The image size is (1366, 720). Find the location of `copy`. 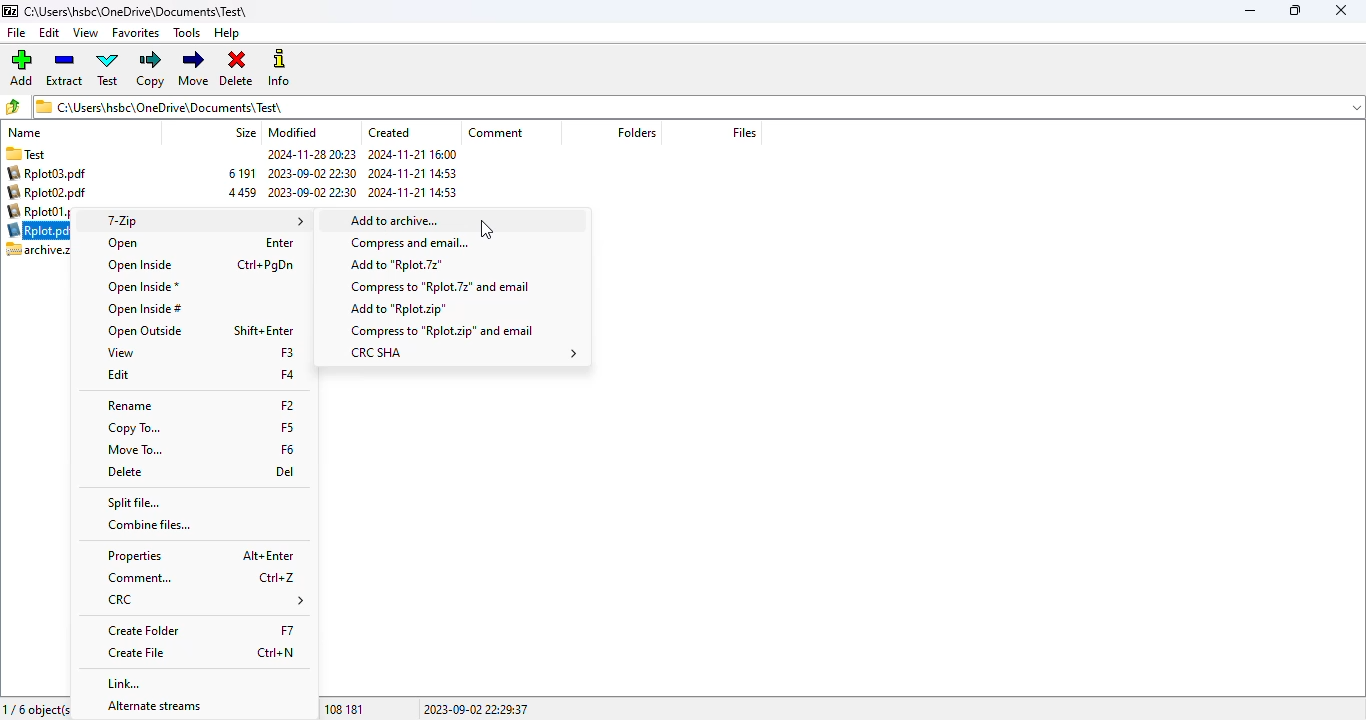

copy is located at coordinates (151, 70).